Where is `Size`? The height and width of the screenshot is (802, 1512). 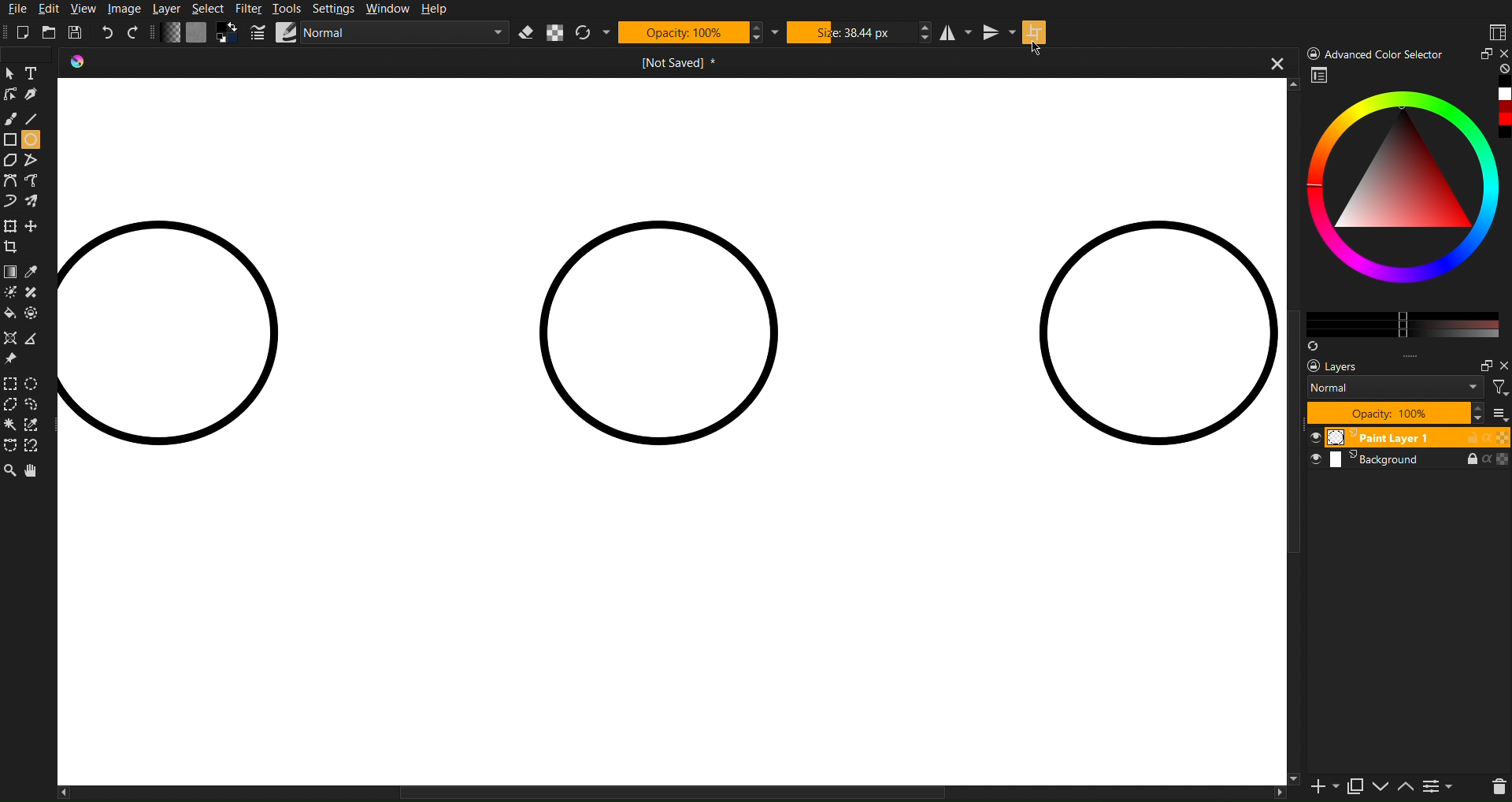 Size is located at coordinates (855, 32).